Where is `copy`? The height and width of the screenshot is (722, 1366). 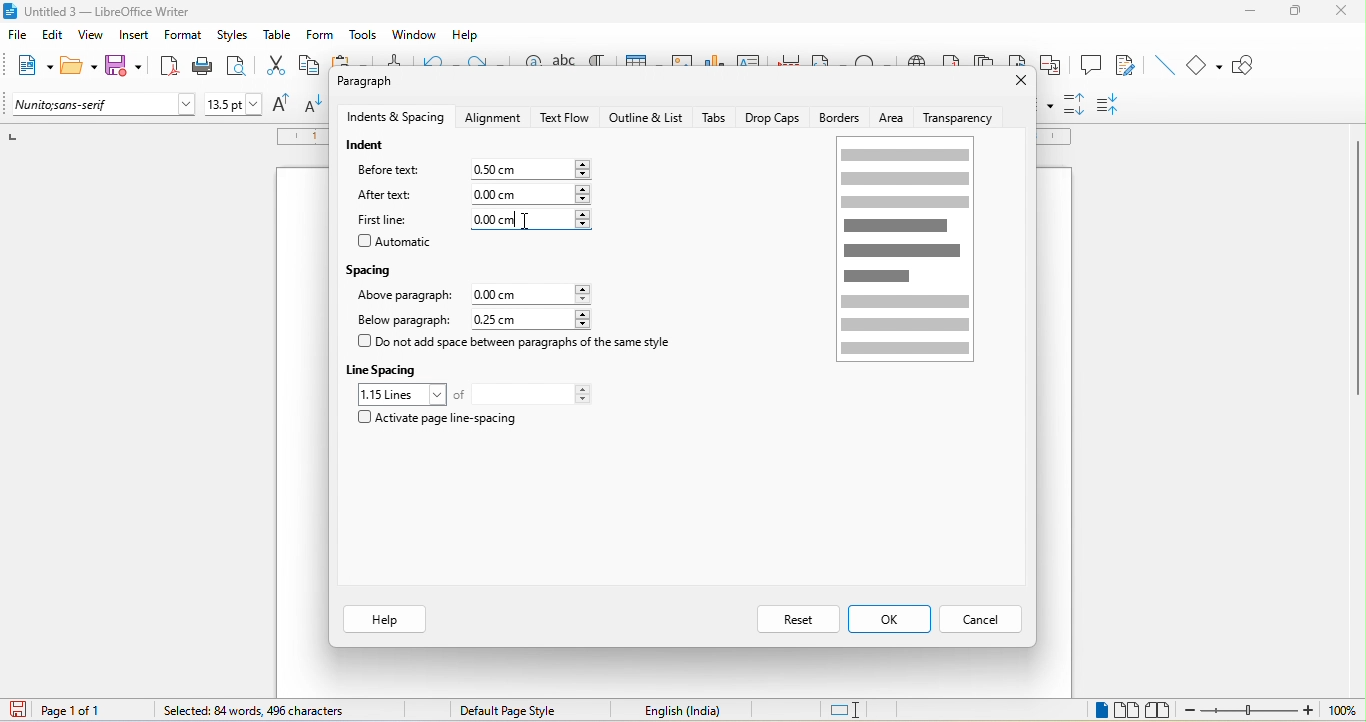
copy is located at coordinates (310, 67).